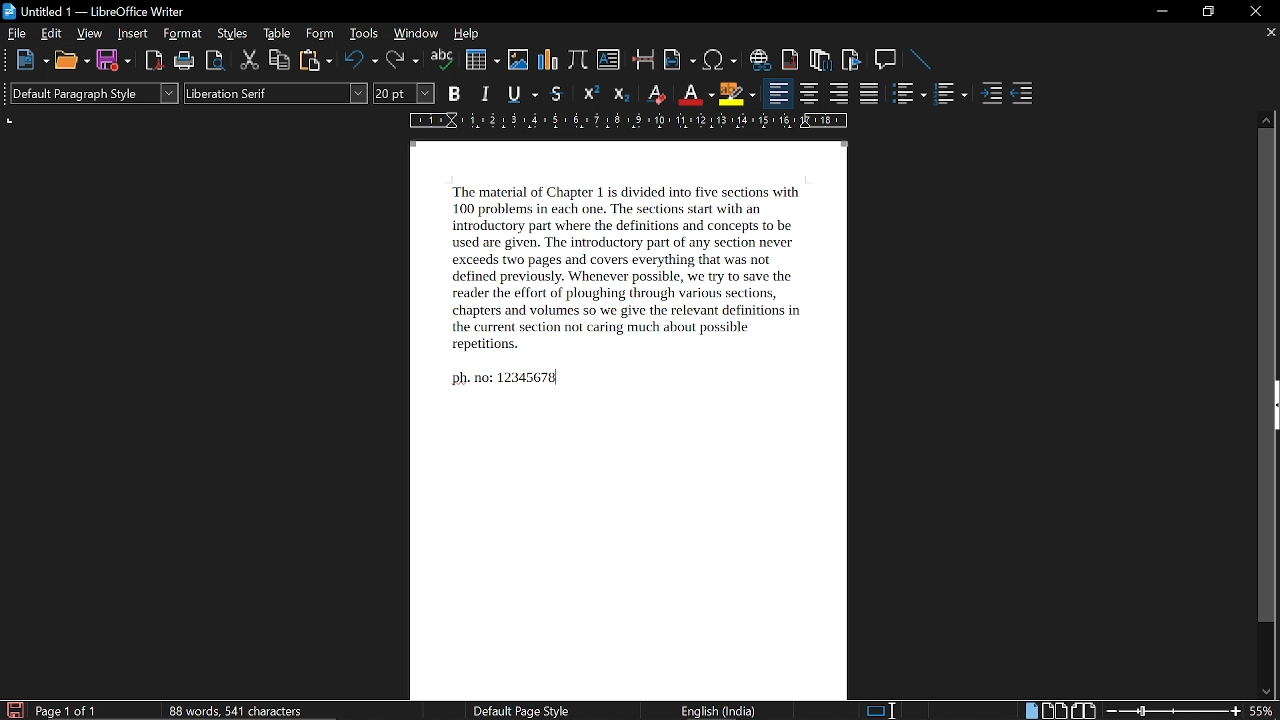 This screenshot has height=720, width=1280. Describe the element at coordinates (405, 94) in the screenshot. I see `font size` at that location.